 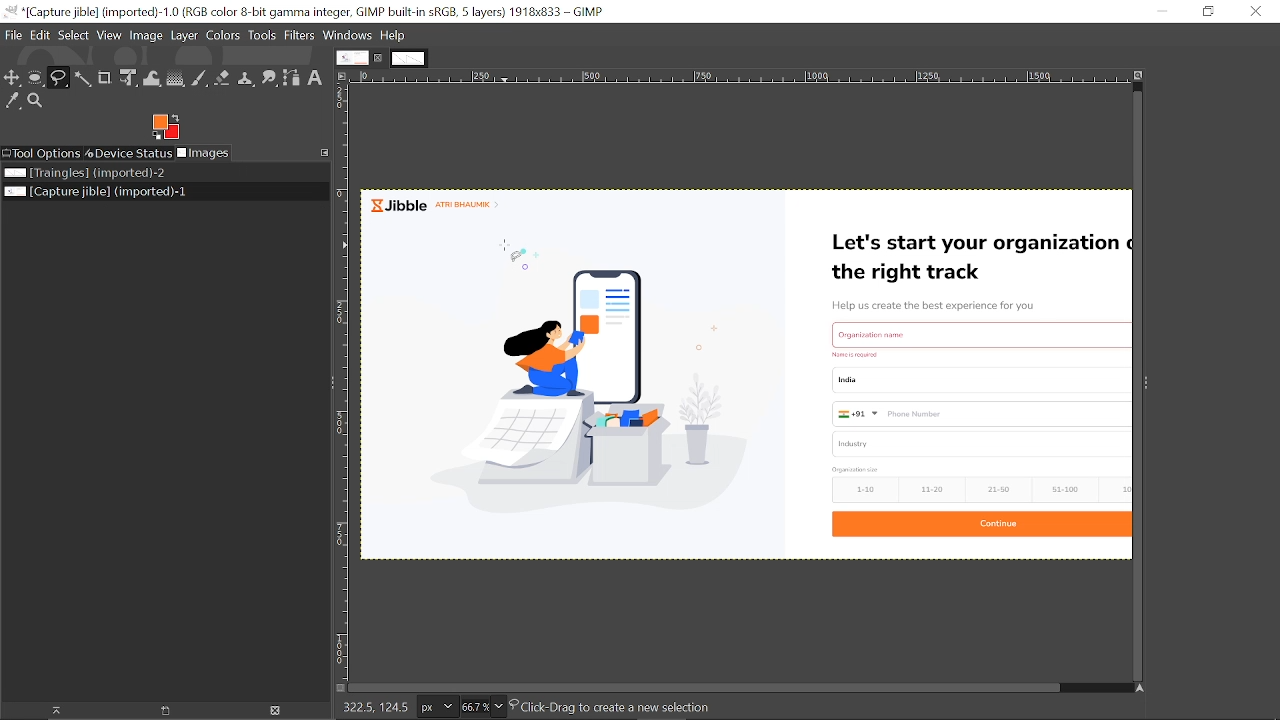 I want to click on Select, so click(x=74, y=35).